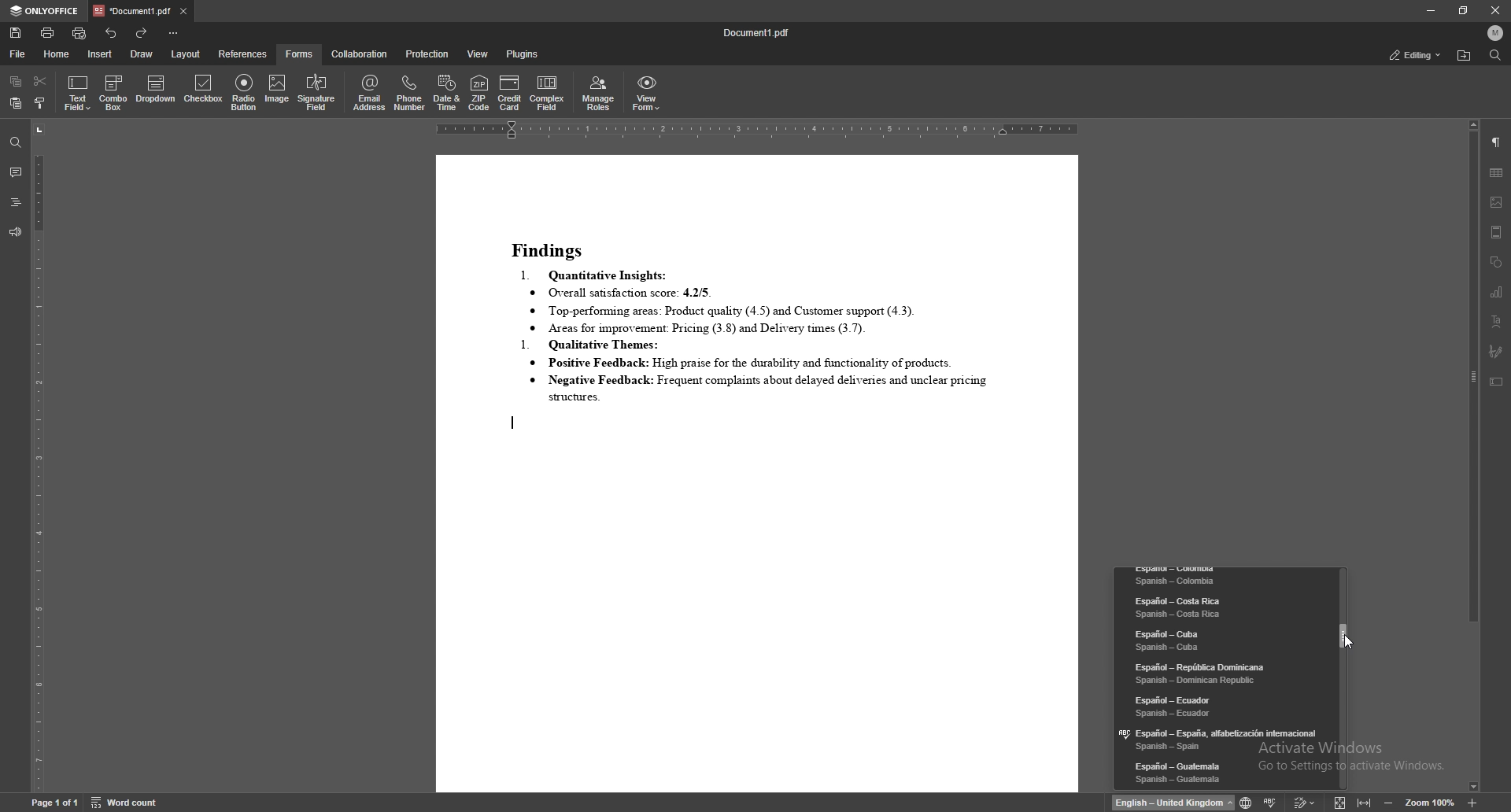 The height and width of the screenshot is (812, 1511). I want to click on file name, so click(758, 35).